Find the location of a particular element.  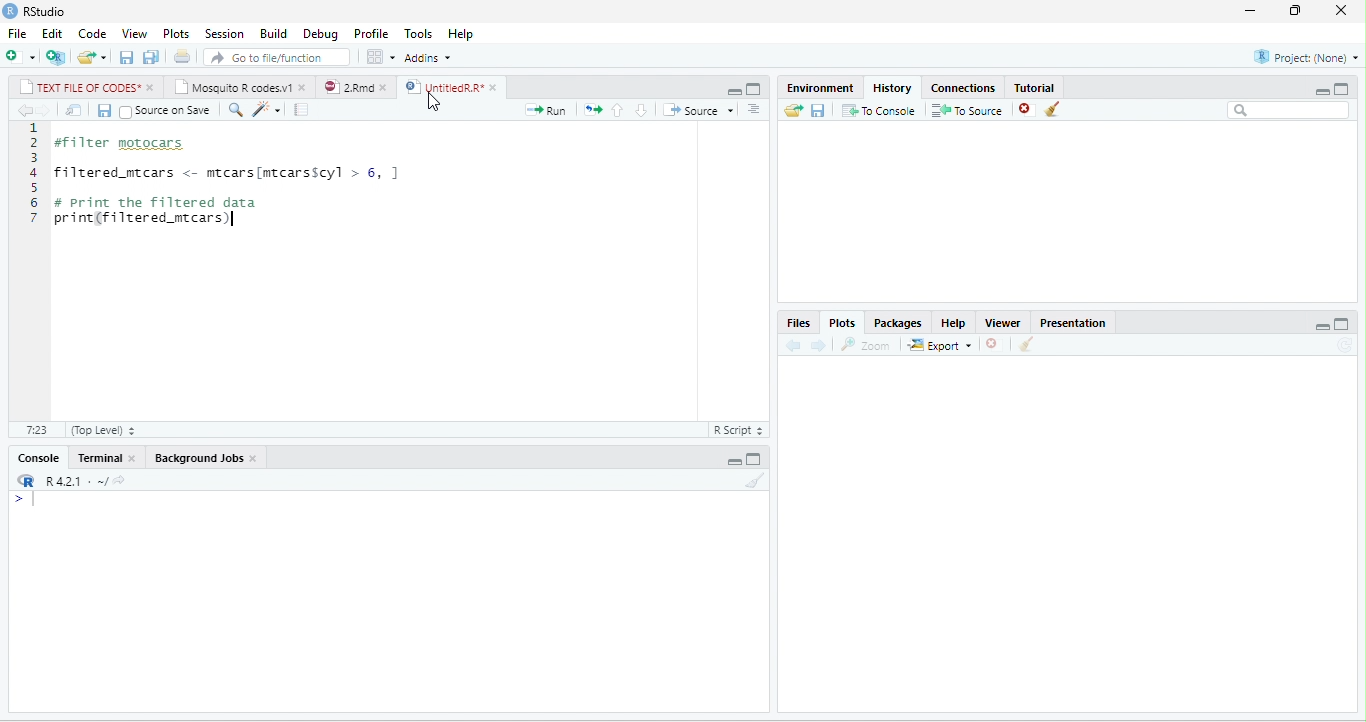

Presentation is located at coordinates (1072, 323).